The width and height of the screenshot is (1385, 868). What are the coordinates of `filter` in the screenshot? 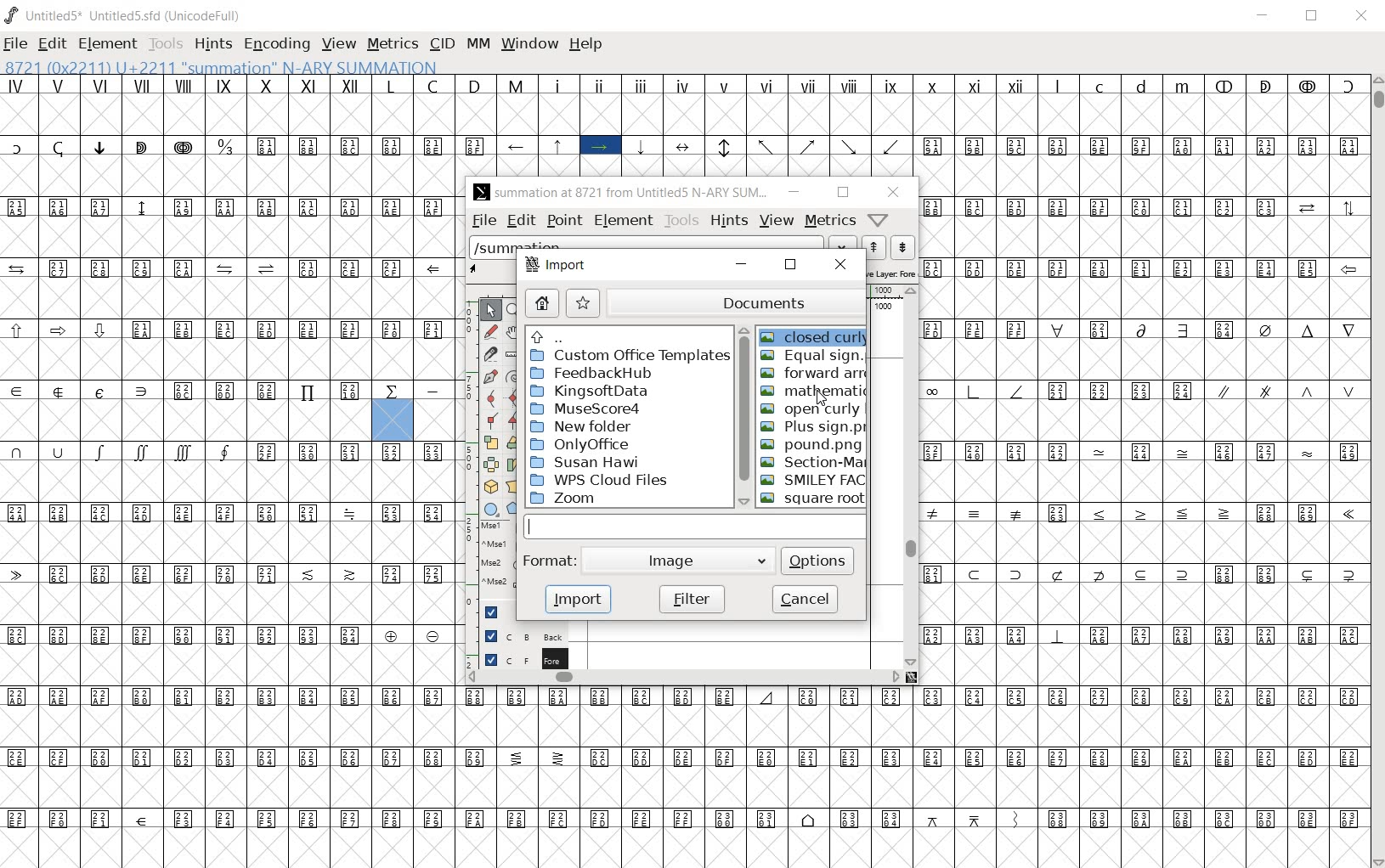 It's located at (692, 600).